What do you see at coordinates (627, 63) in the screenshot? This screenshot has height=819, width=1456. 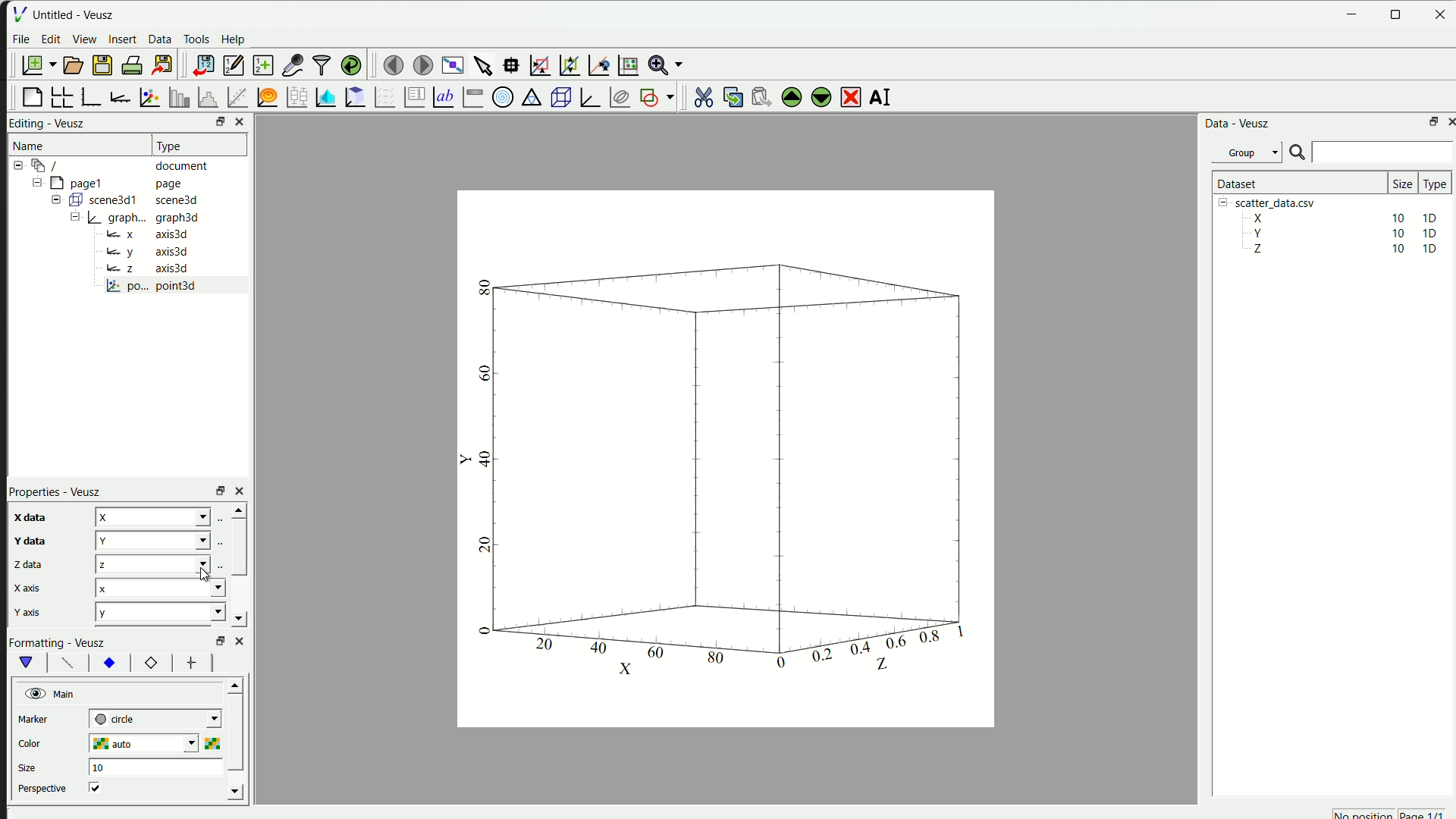 I see `Reset graph axes` at bounding box center [627, 63].